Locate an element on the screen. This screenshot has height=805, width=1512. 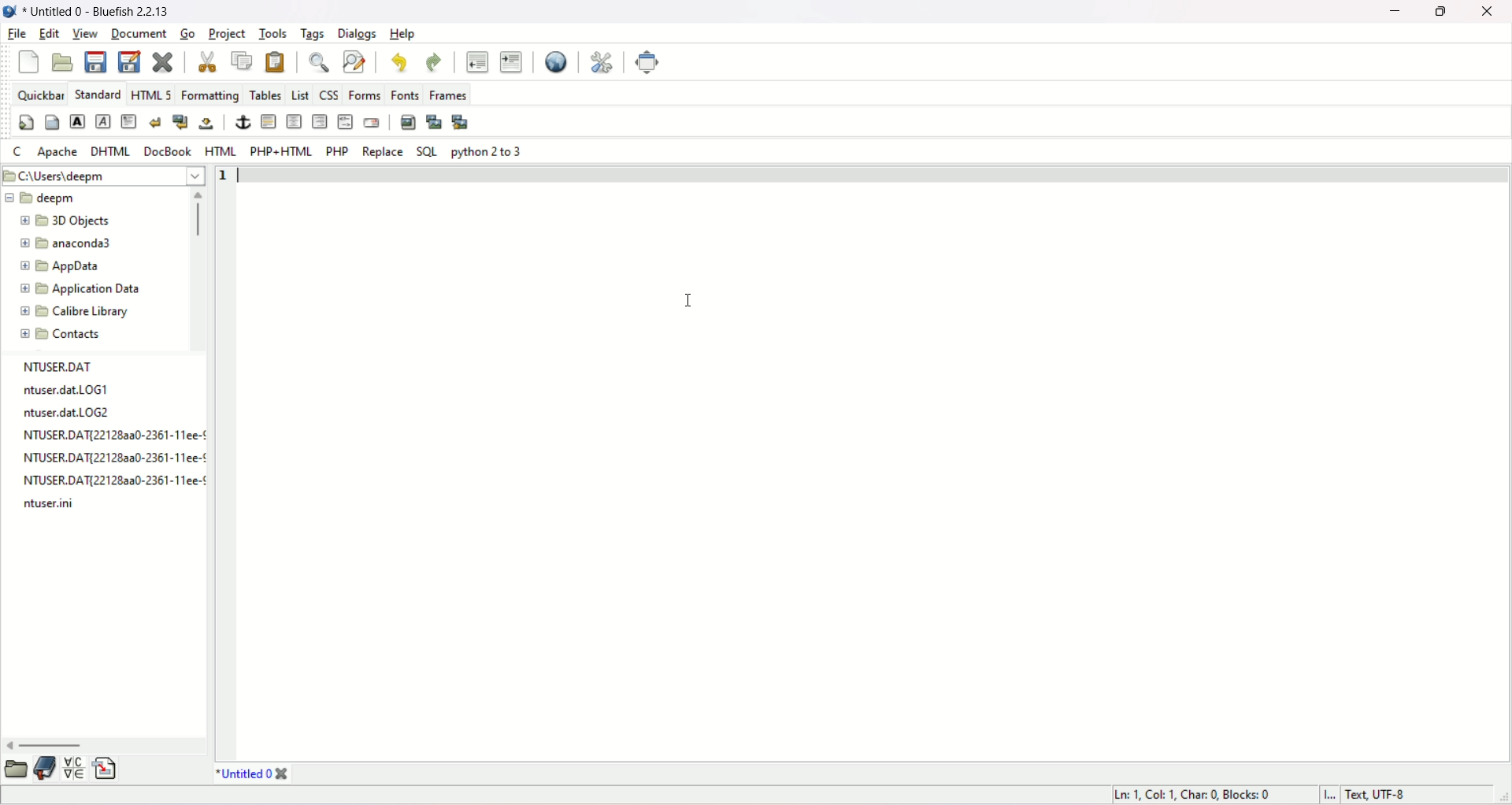
non breaking space is located at coordinates (205, 122).